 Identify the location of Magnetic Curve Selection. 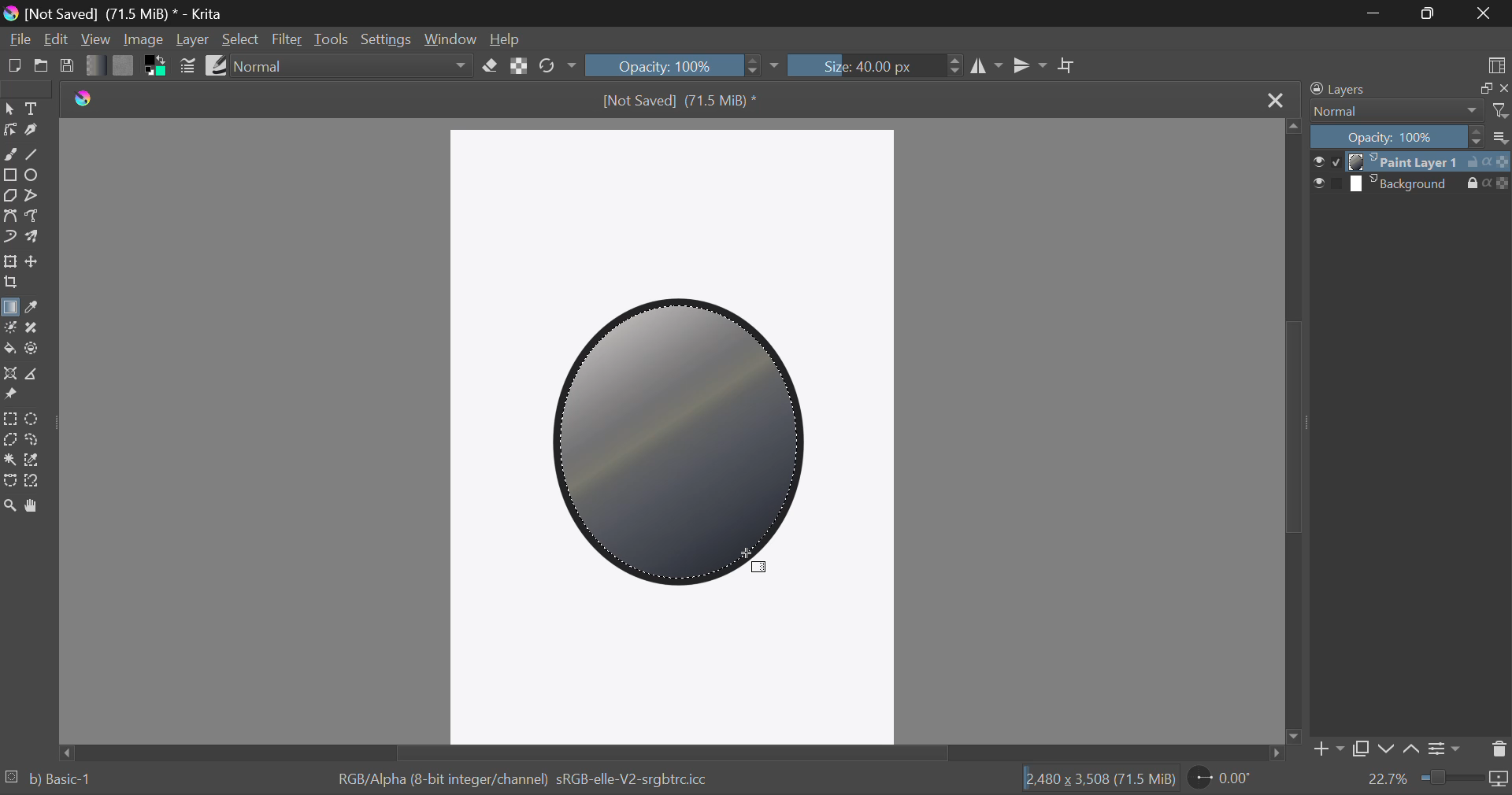
(37, 483).